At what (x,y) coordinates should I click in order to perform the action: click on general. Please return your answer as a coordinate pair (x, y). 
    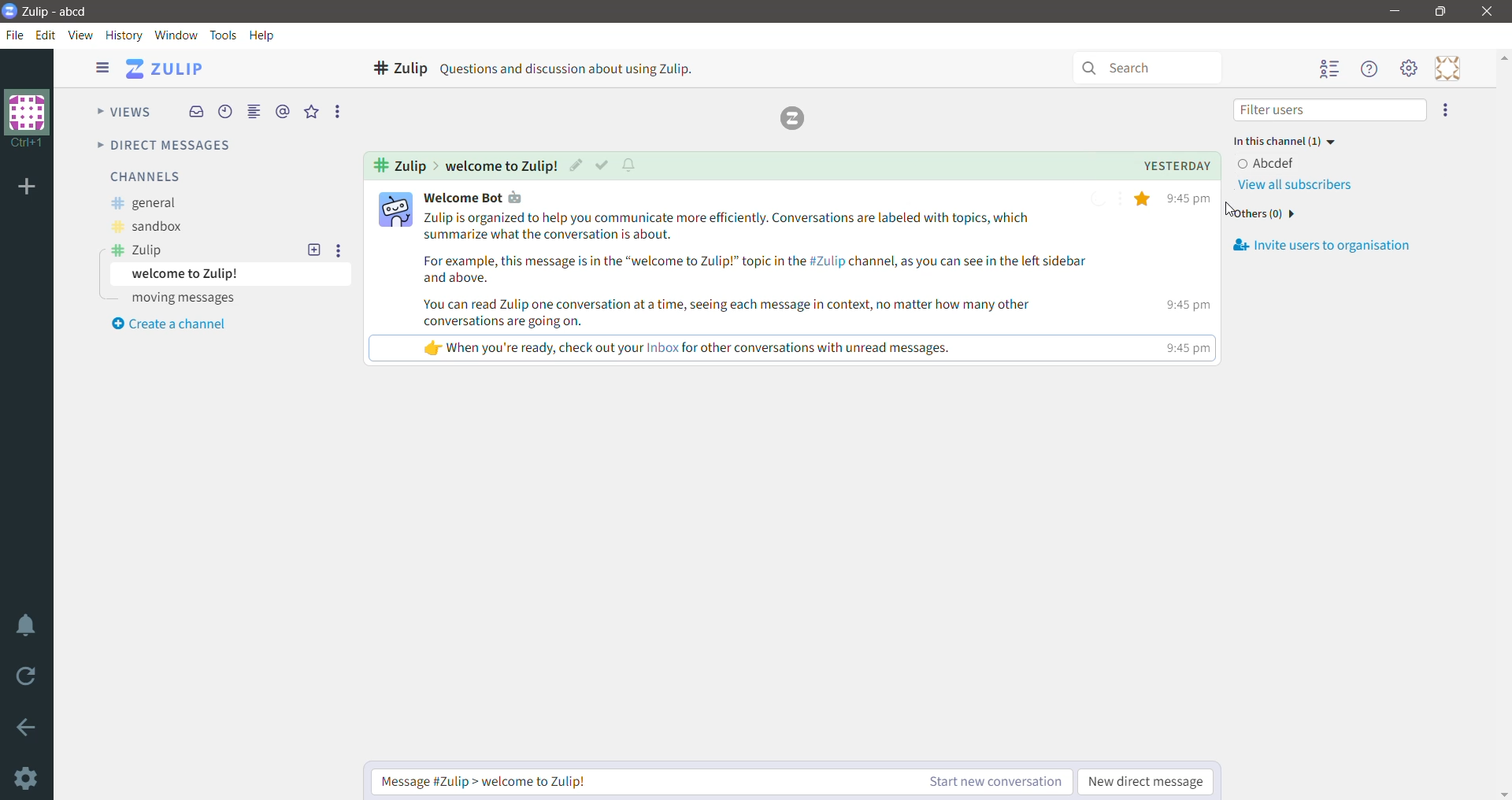
    Looking at the image, I should click on (141, 203).